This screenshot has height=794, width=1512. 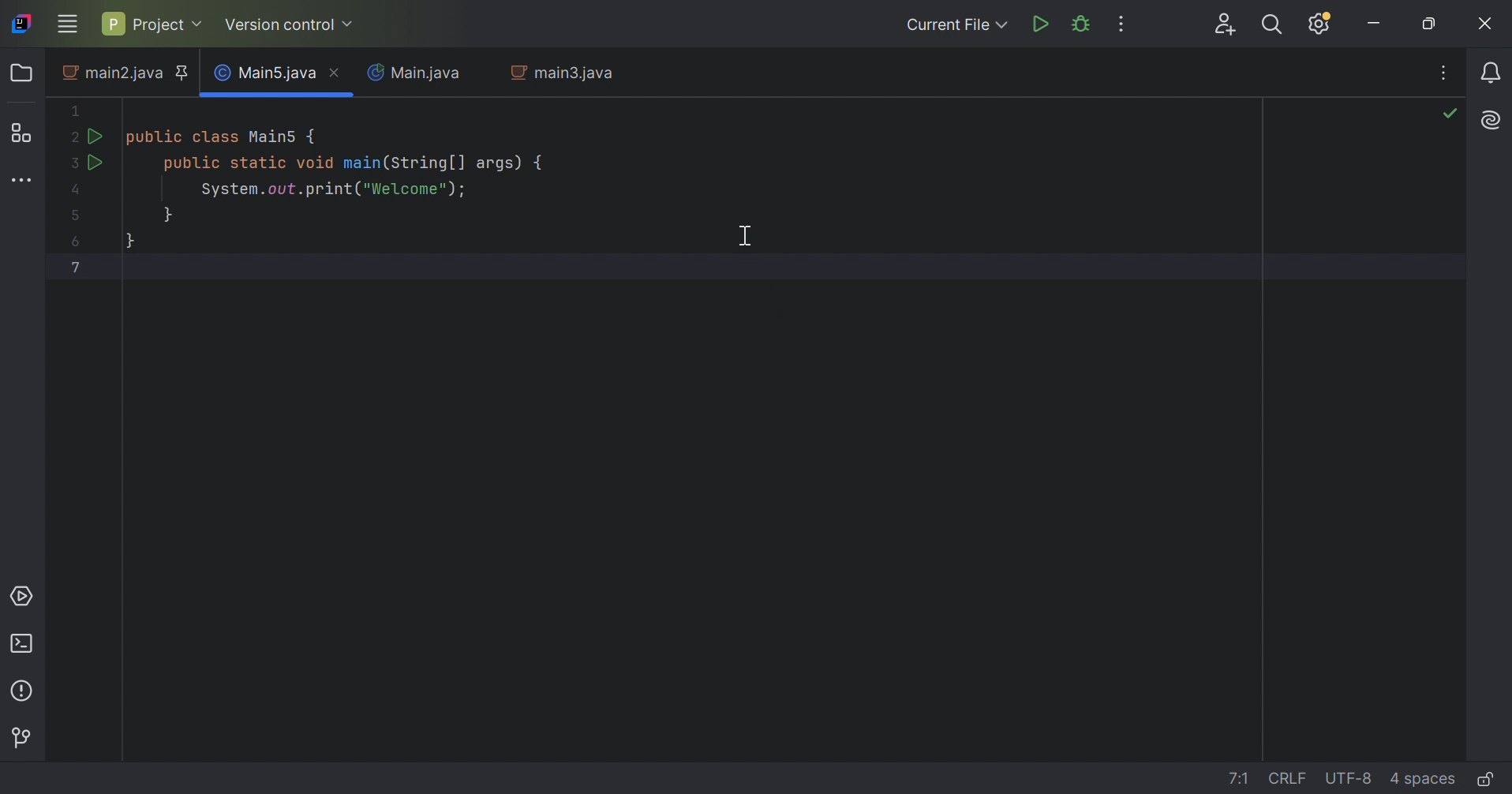 What do you see at coordinates (80, 137) in the screenshot?
I see `2` at bounding box center [80, 137].